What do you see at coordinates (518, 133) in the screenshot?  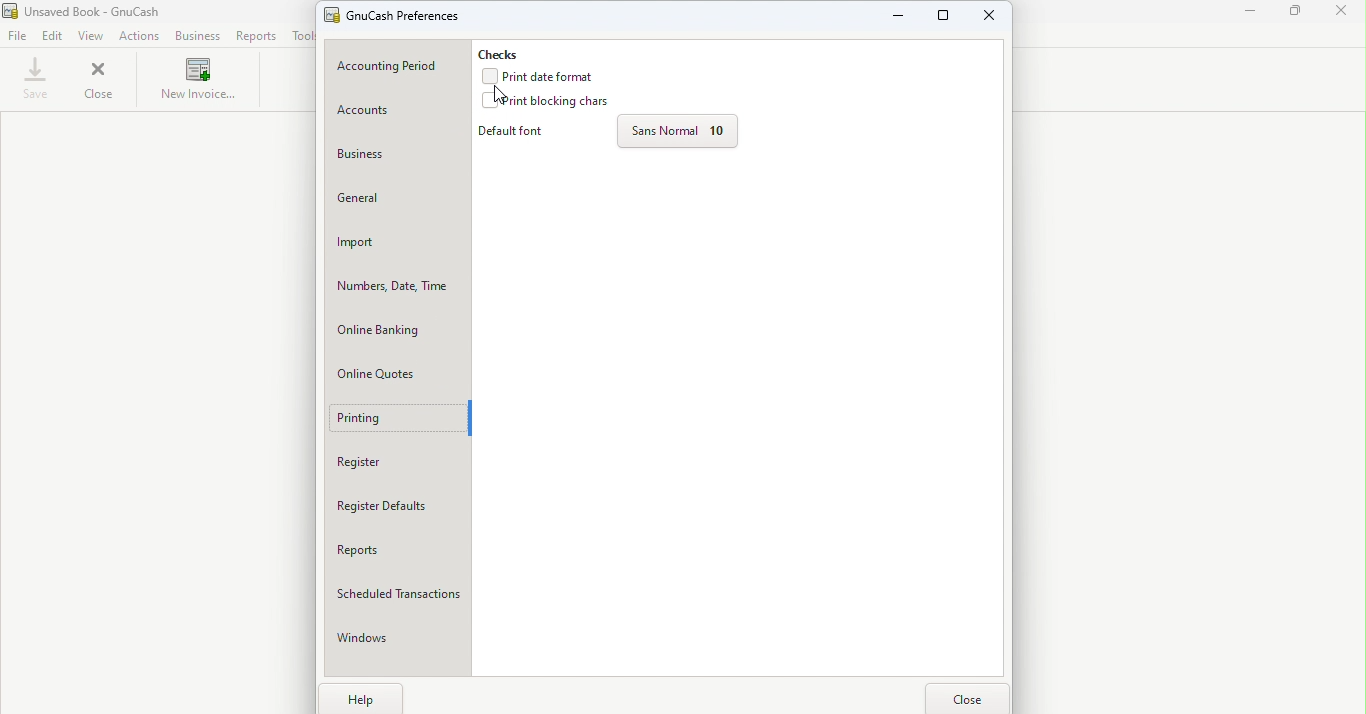 I see `Default fonts` at bounding box center [518, 133].